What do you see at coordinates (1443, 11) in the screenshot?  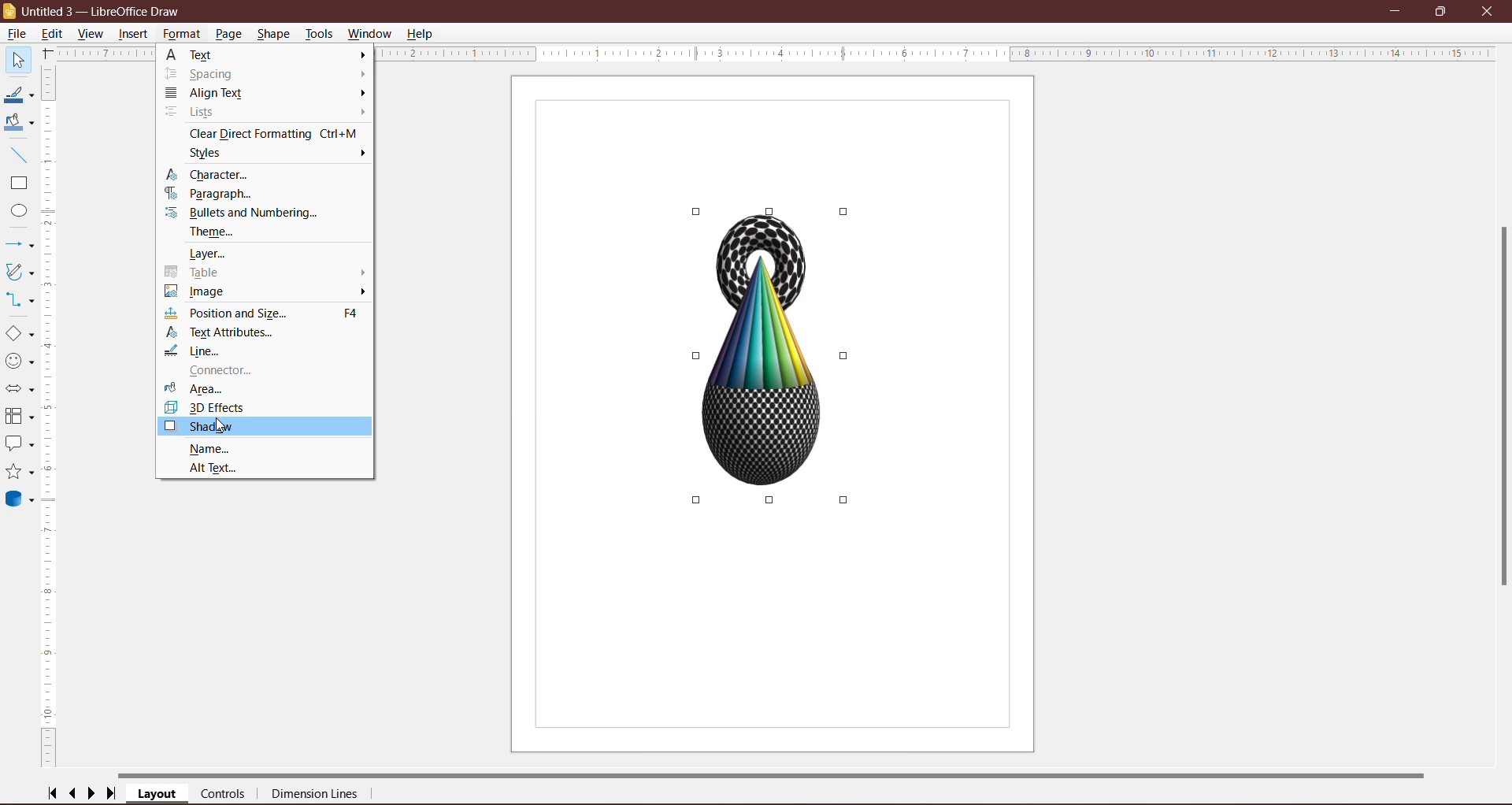 I see `Restore Down` at bounding box center [1443, 11].